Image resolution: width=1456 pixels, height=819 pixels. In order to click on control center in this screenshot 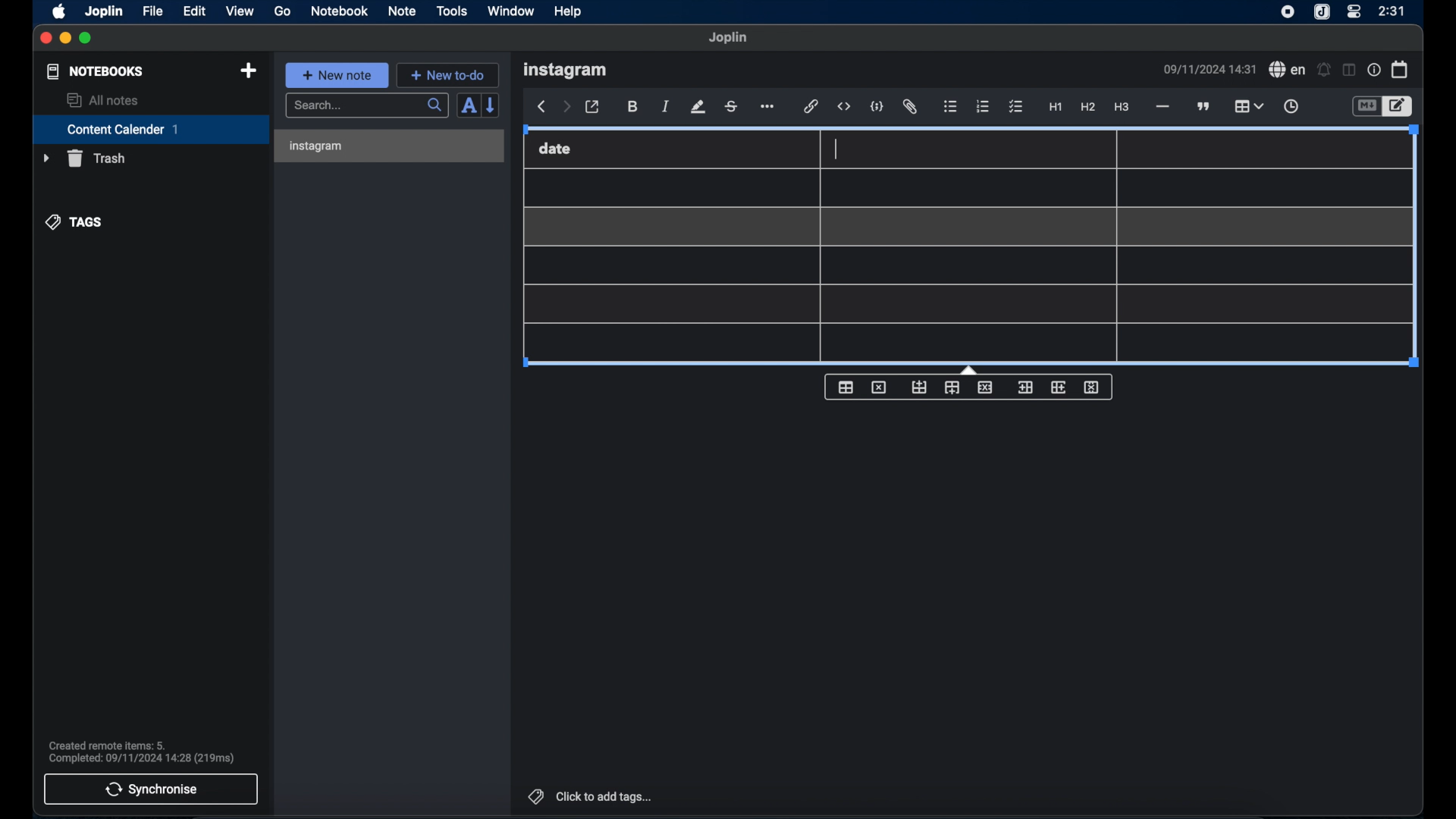, I will do `click(1354, 12)`.